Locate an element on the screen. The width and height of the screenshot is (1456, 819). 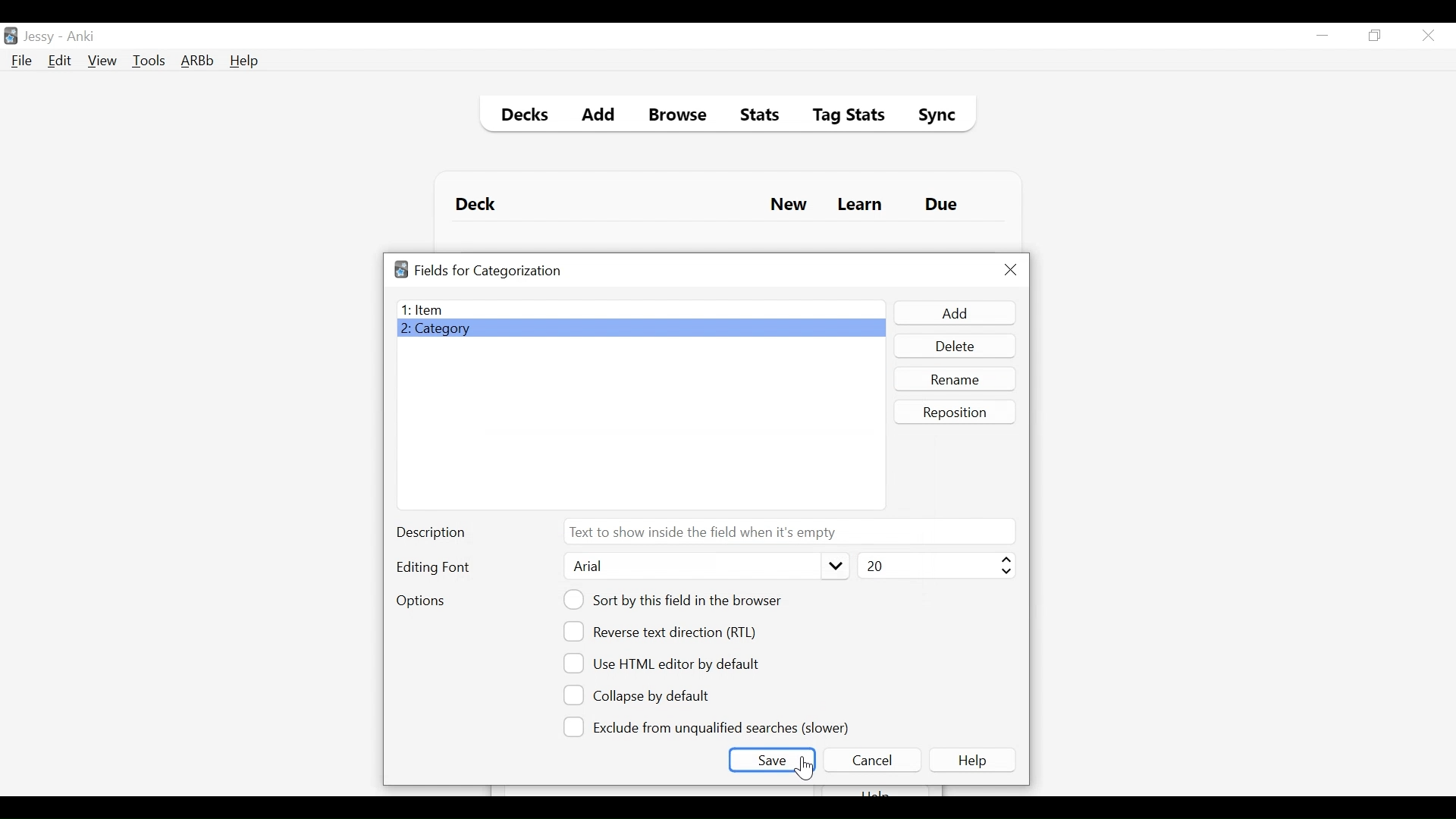
Tools is located at coordinates (149, 60).